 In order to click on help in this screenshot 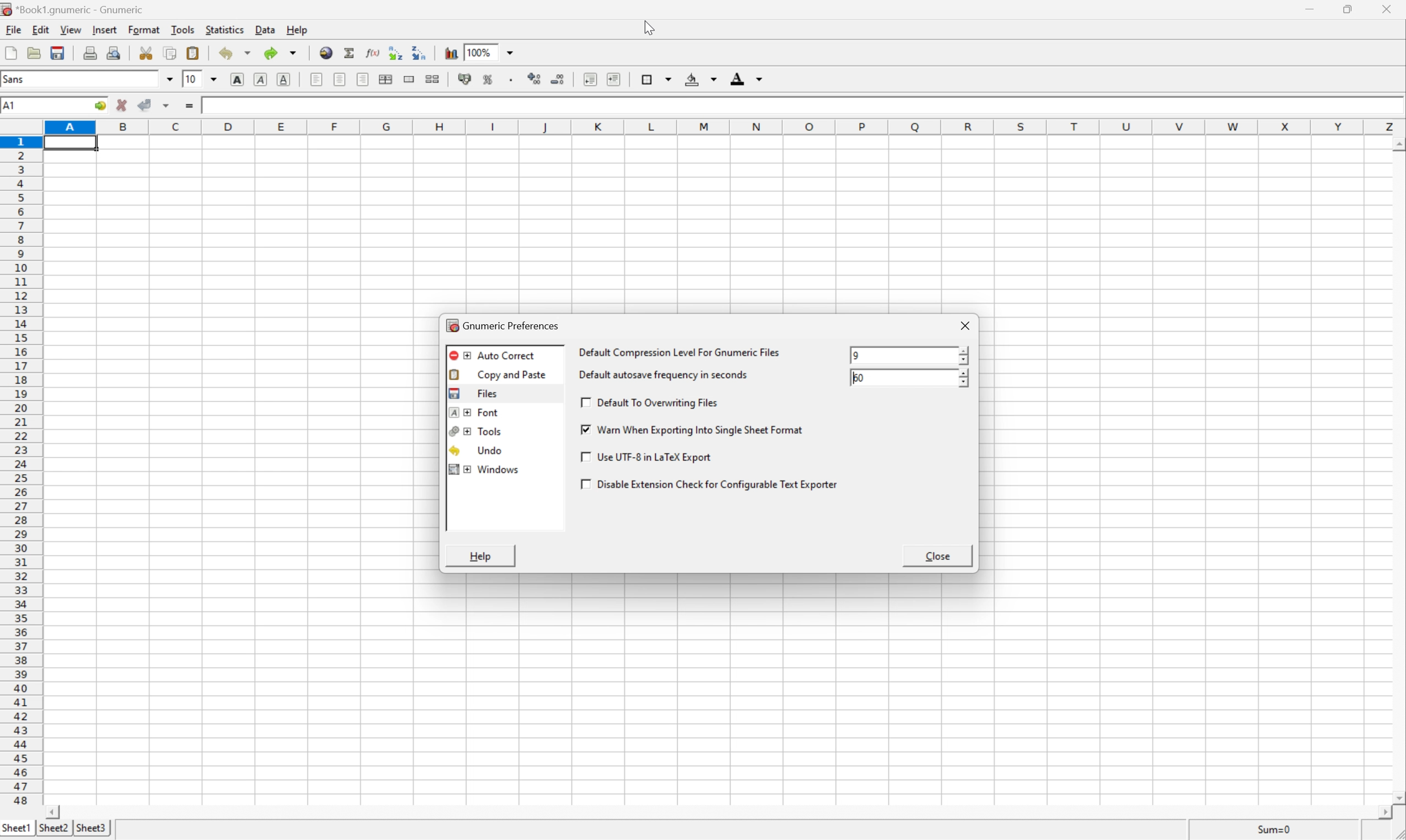, I will do `click(481, 557)`.